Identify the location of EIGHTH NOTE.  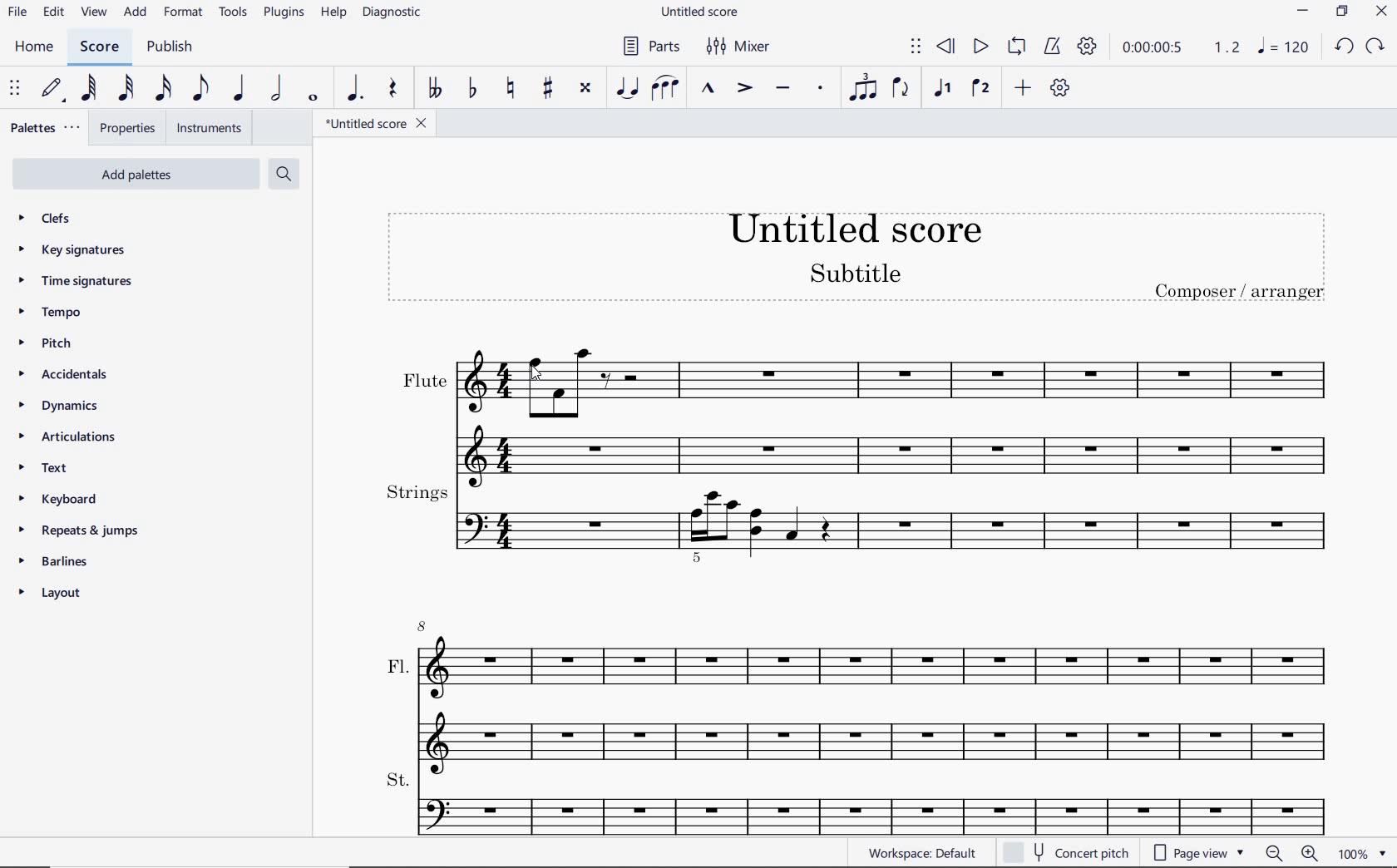
(200, 90).